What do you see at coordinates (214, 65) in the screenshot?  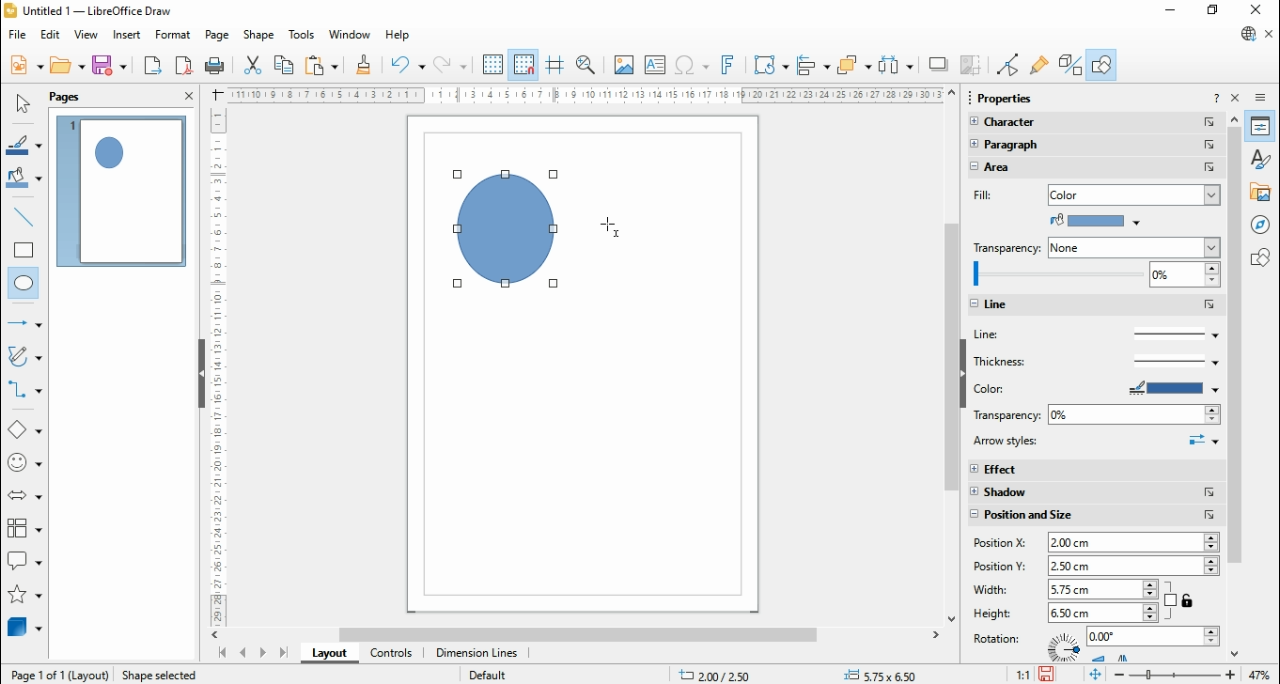 I see `print` at bounding box center [214, 65].